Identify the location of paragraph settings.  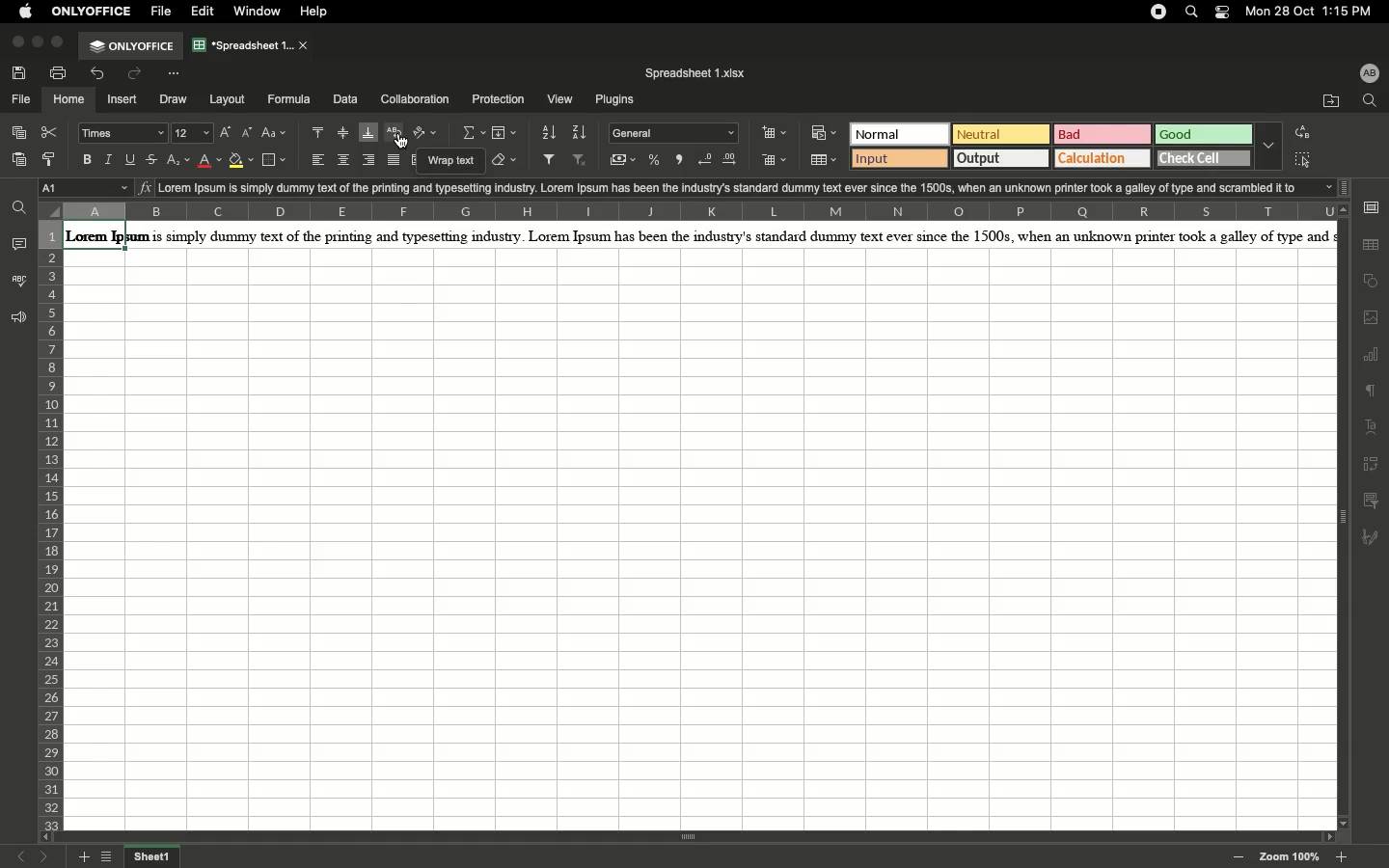
(1371, 207).